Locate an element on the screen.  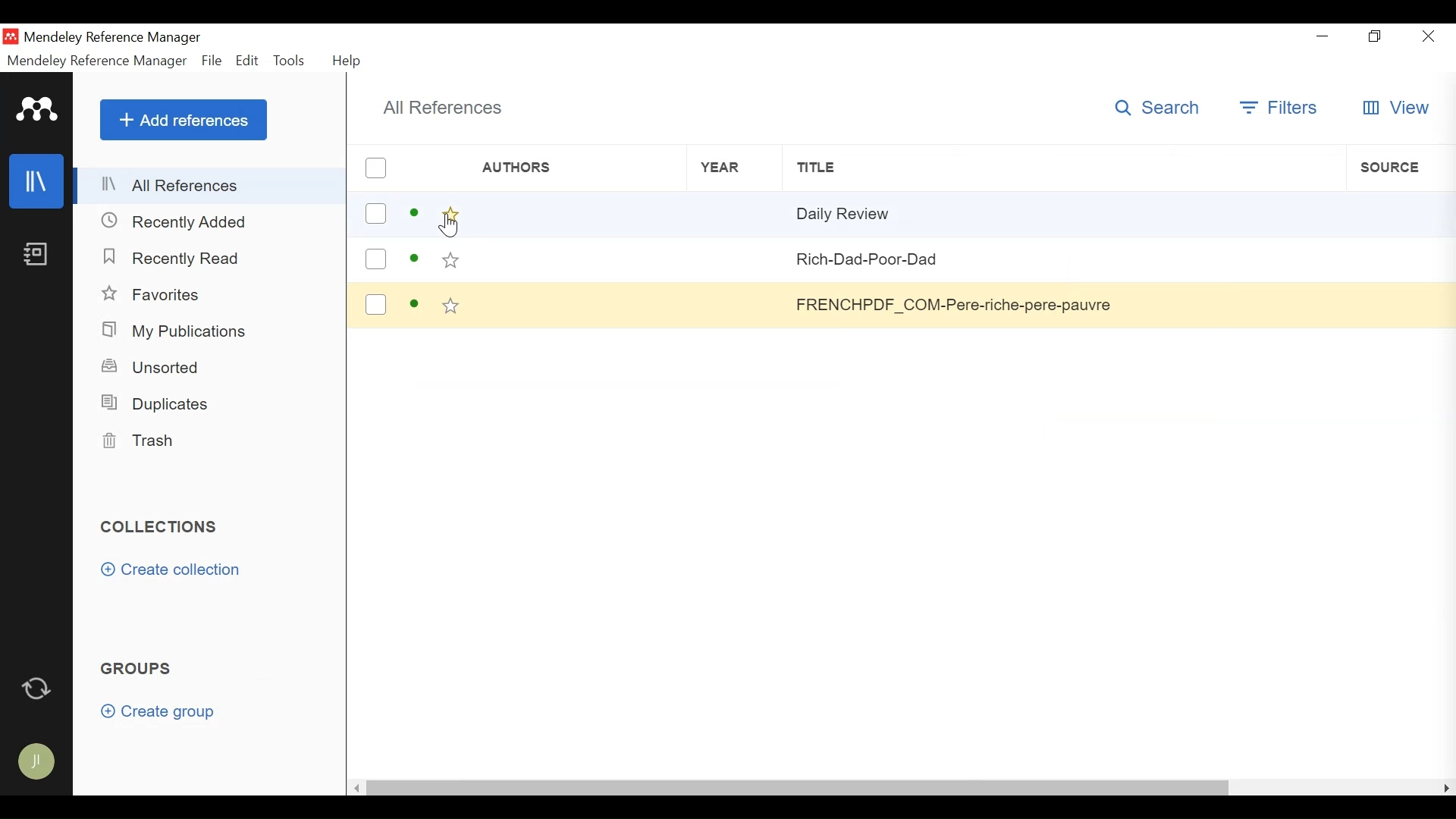
Recently Read is located at coordinates (179, 259).